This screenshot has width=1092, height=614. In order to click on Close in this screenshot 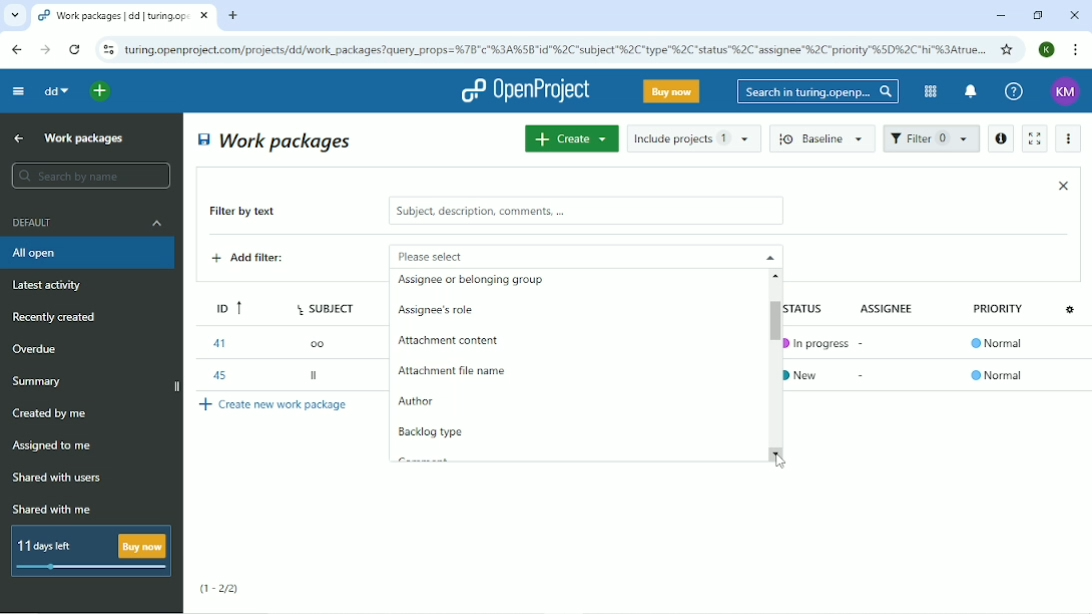, I will do `click(1074, 15)`.